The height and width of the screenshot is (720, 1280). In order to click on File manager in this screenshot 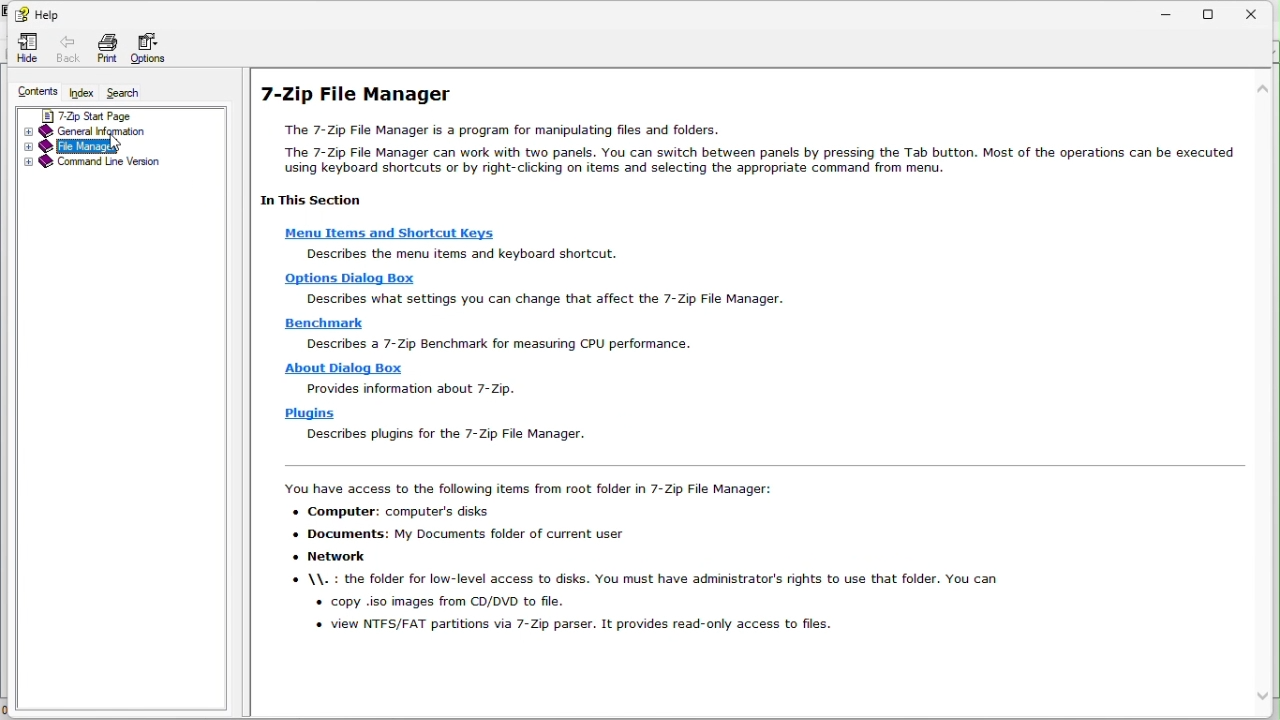, I will do `click(118, 144)`.